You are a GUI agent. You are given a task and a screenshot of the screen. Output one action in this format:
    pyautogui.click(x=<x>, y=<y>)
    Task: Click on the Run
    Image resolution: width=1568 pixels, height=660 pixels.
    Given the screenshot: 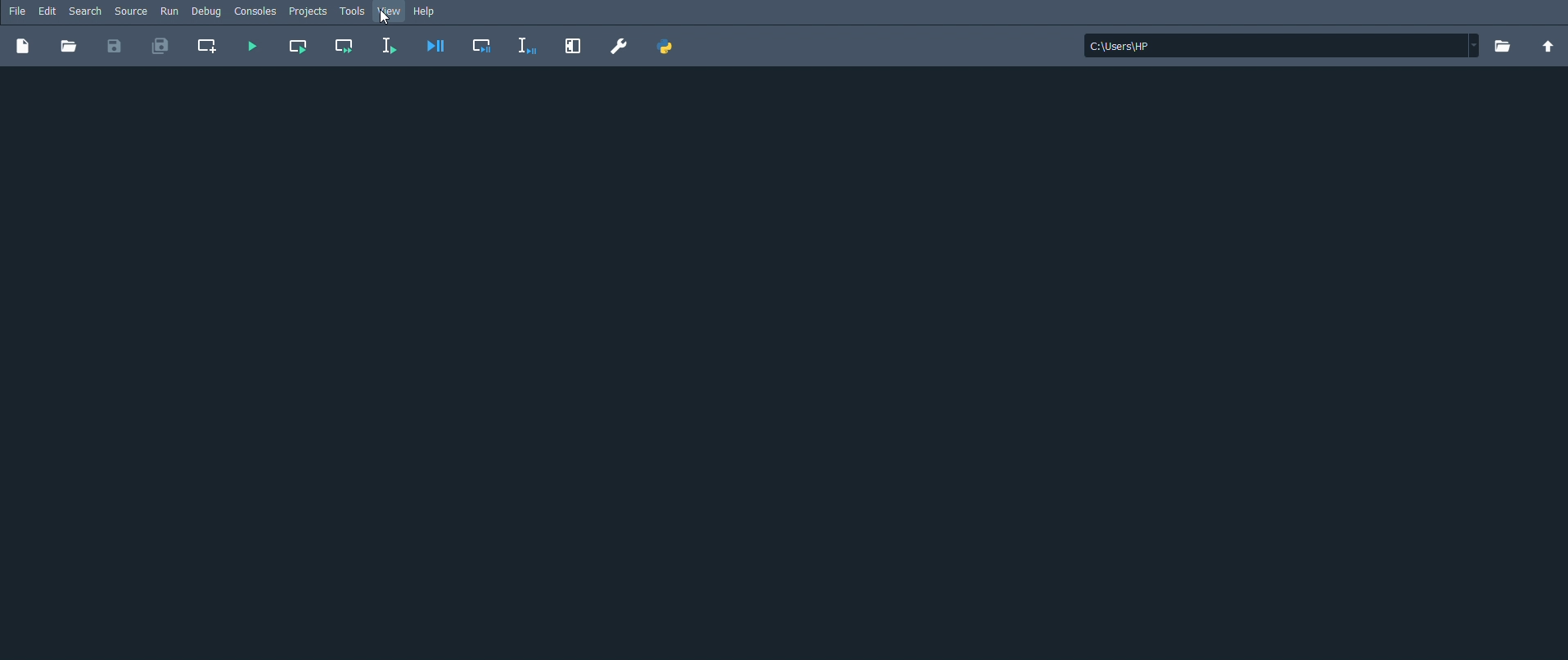 What is the action you would take?
    pyautogui.click(x=169, y=11)
    